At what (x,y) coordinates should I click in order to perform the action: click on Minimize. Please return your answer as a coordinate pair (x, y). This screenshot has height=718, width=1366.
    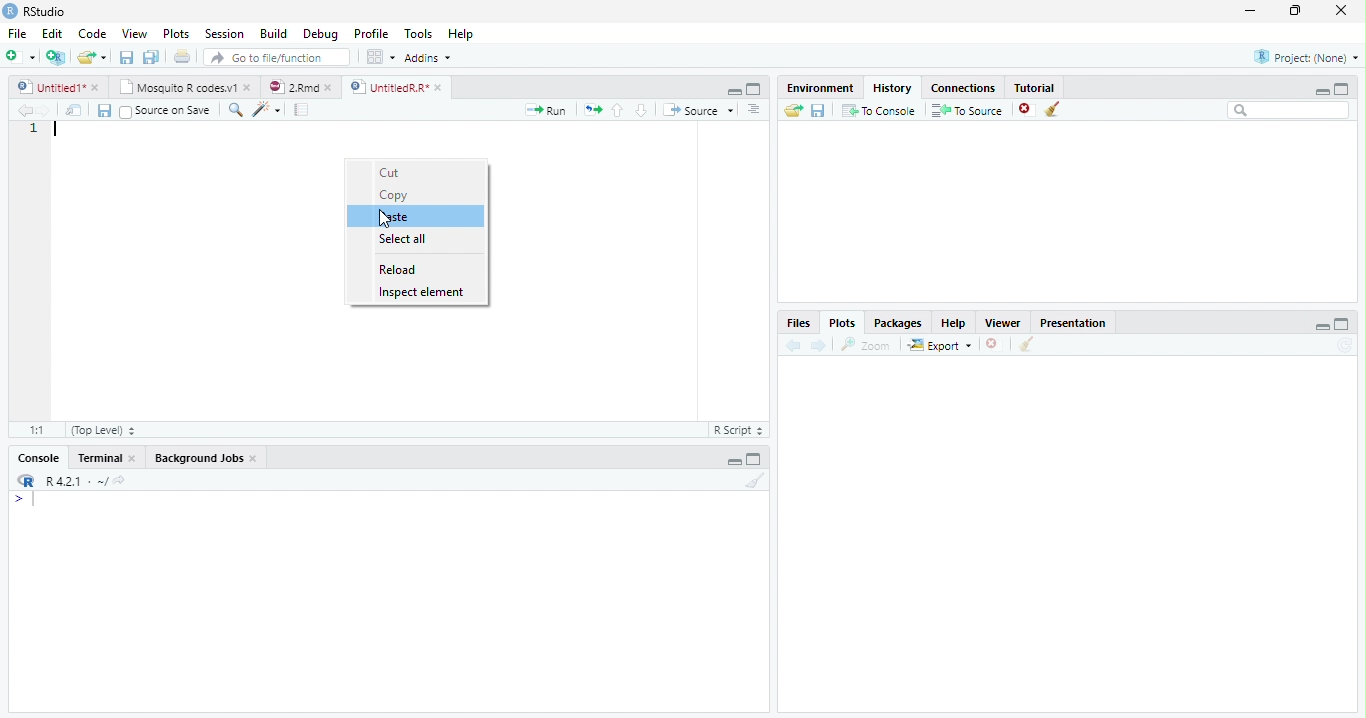
    Looking at the image, I should click on (734, 91).